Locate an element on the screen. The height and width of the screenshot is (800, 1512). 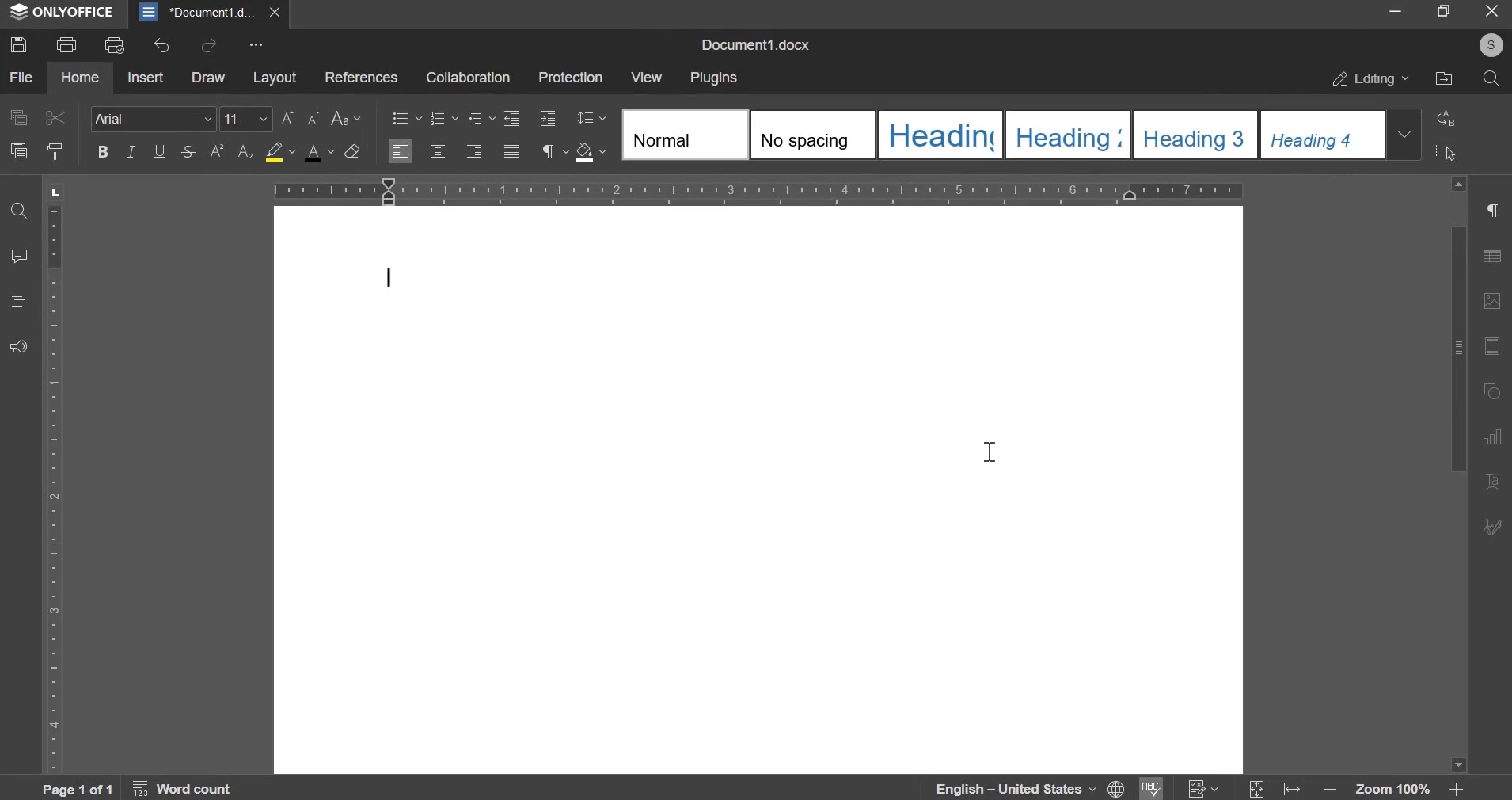
horizontal scale is located at coordinates (756, 190).